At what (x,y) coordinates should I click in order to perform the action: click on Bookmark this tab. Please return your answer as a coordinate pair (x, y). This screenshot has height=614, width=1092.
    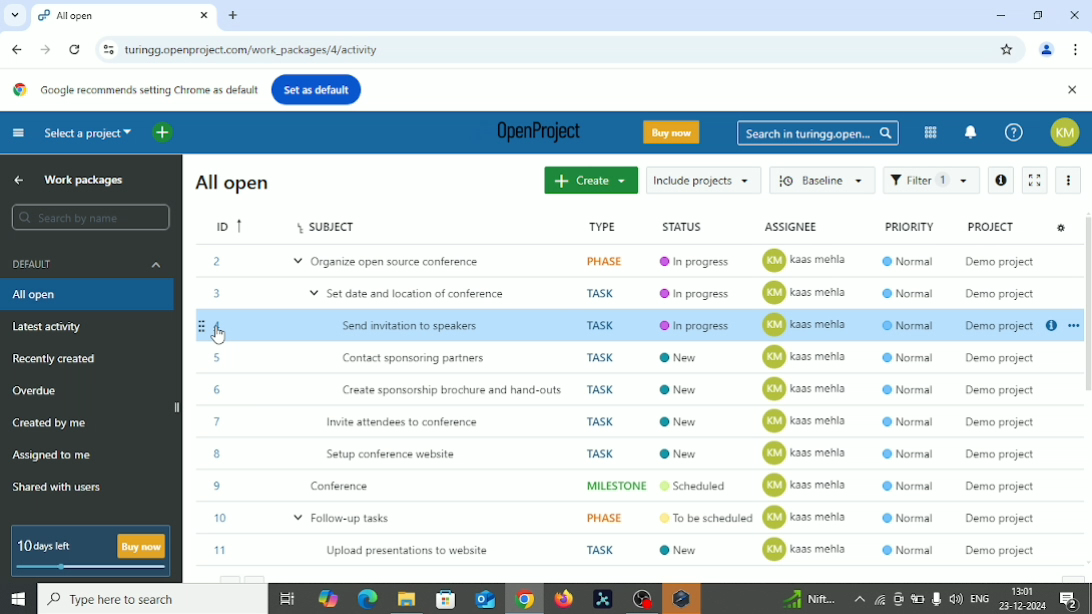
    Looking at the image, I should click on (1007, 50).